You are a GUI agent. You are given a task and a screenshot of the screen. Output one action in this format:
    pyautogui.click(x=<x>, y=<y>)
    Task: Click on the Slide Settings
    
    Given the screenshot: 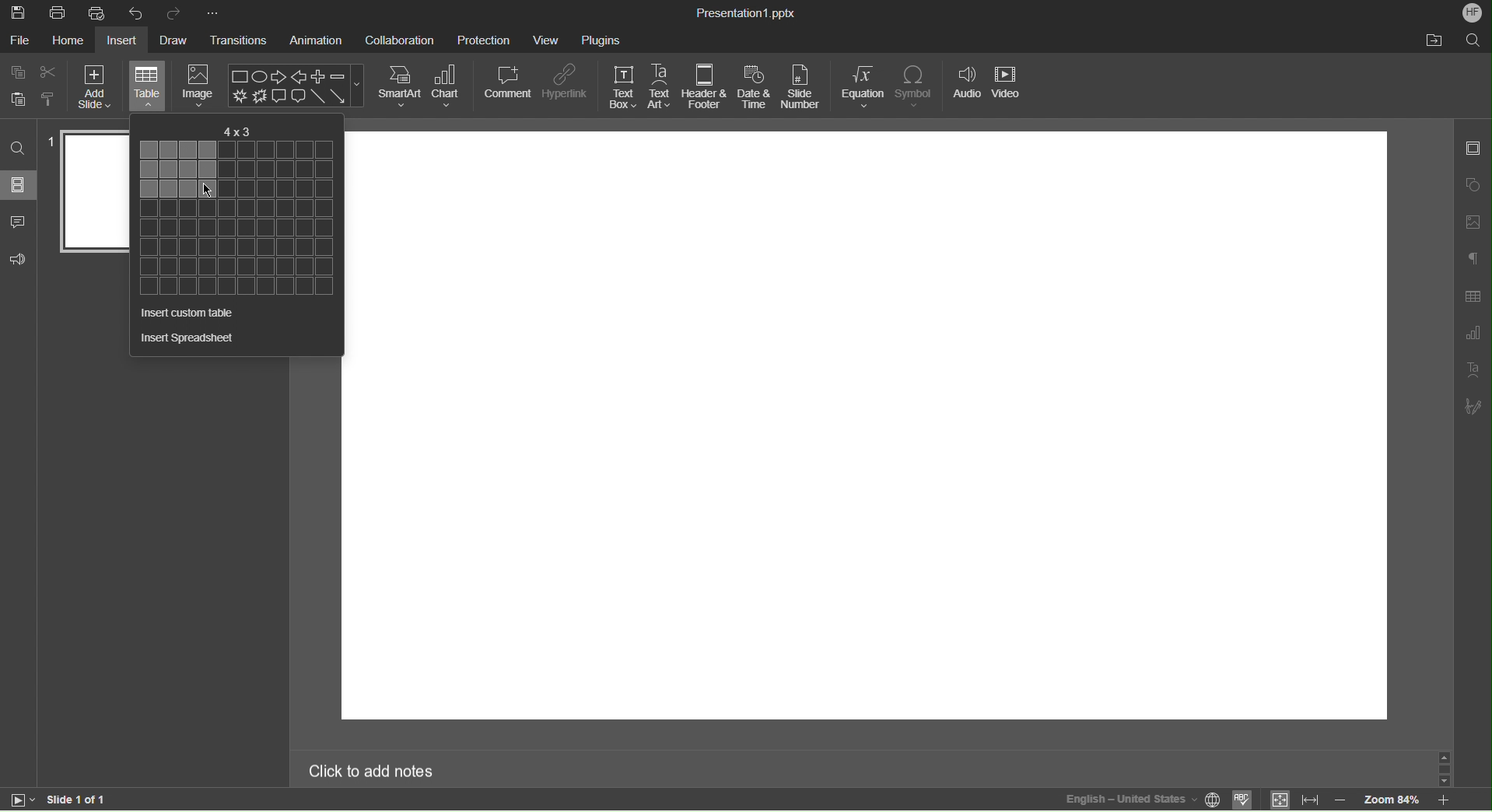 What is the action you would take?
    pyautogui.click(x=1473, y=149)
    